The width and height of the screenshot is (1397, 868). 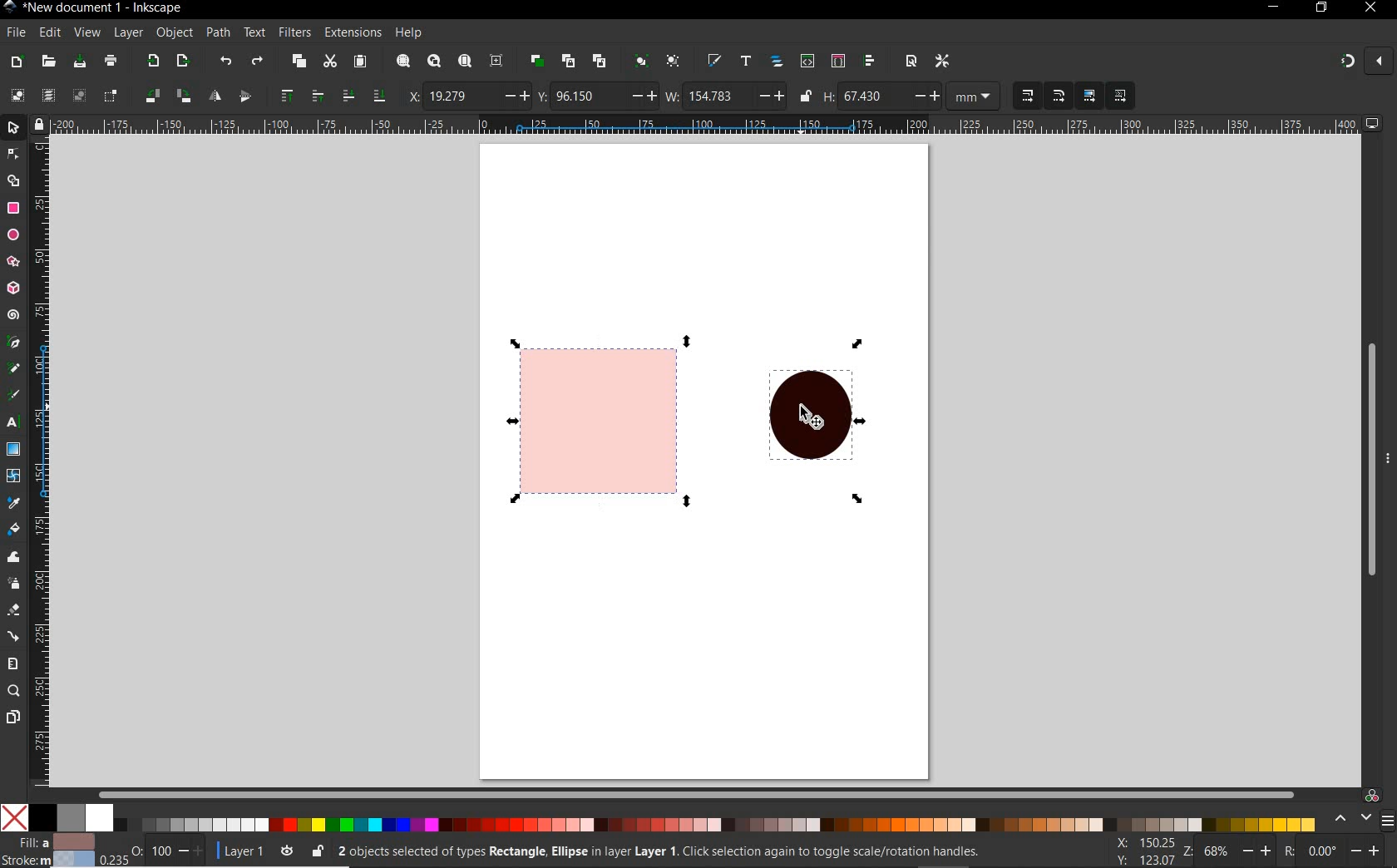 I want to click on open text, so click(x=747, y=62).